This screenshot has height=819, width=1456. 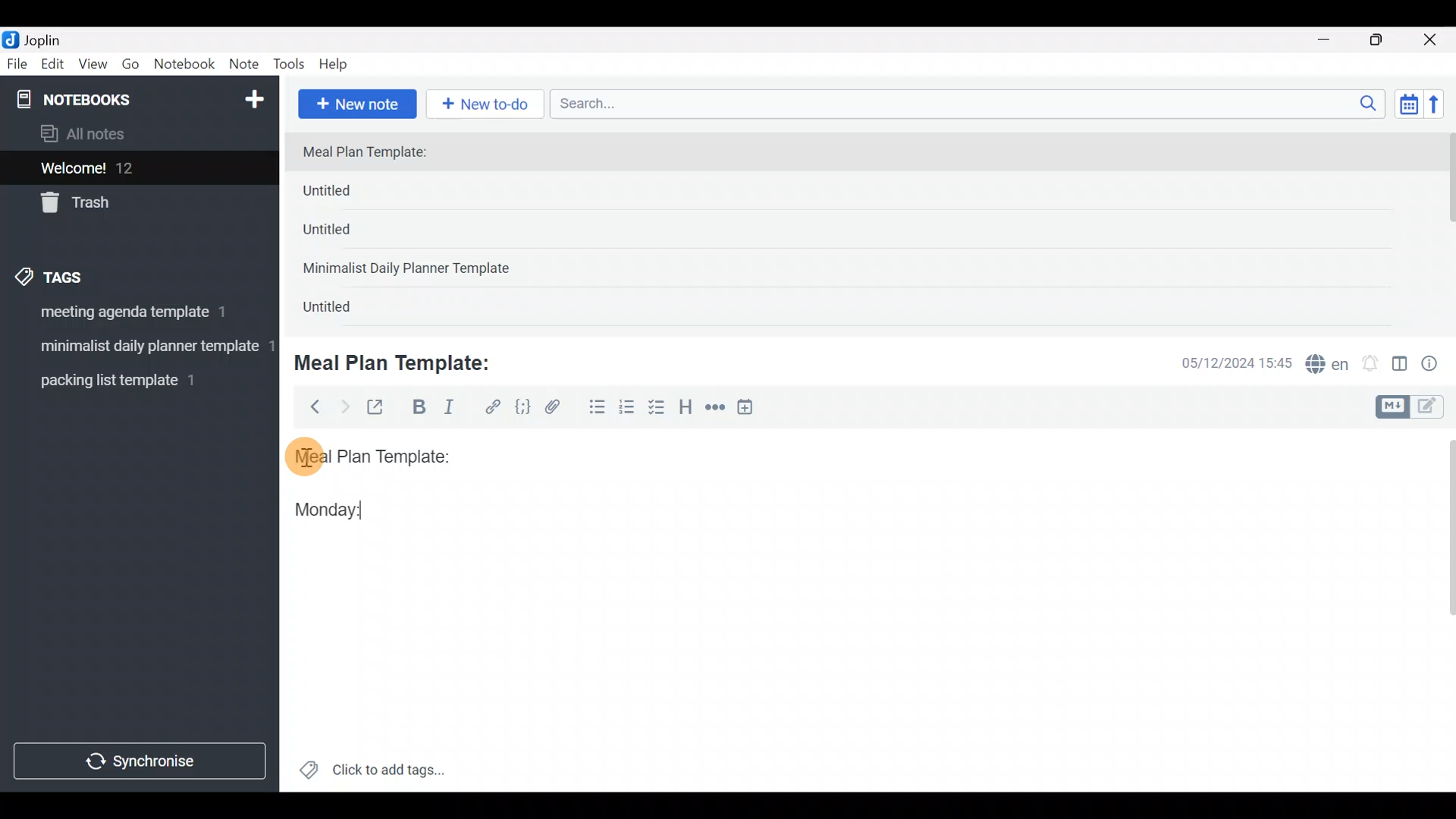 What do you see at coordinates (594, 408) in the screenshot?
I see `Bulleted list` at bounding box center [594, 408].